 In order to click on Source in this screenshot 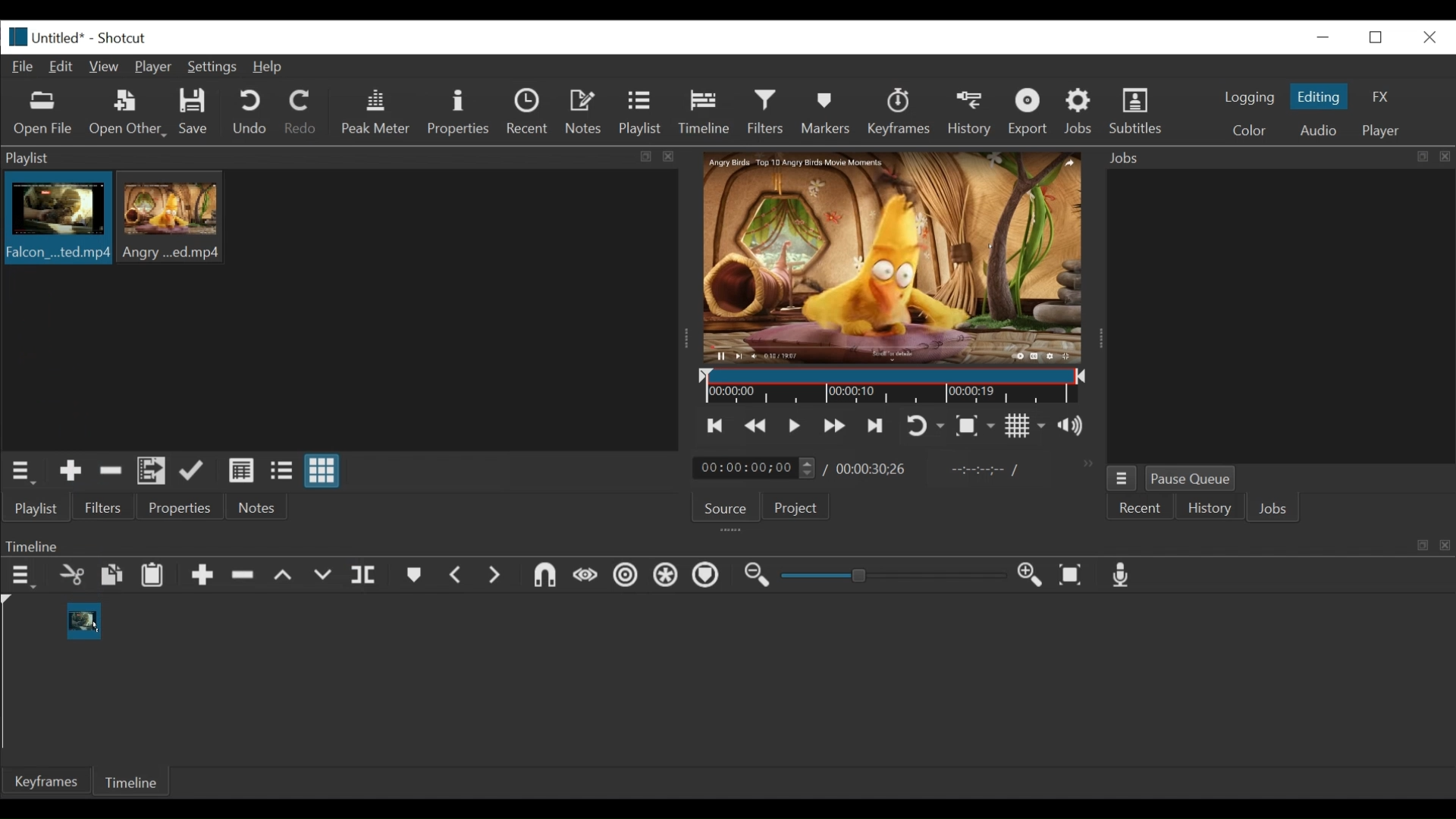, I will do `click(720, 510)`.